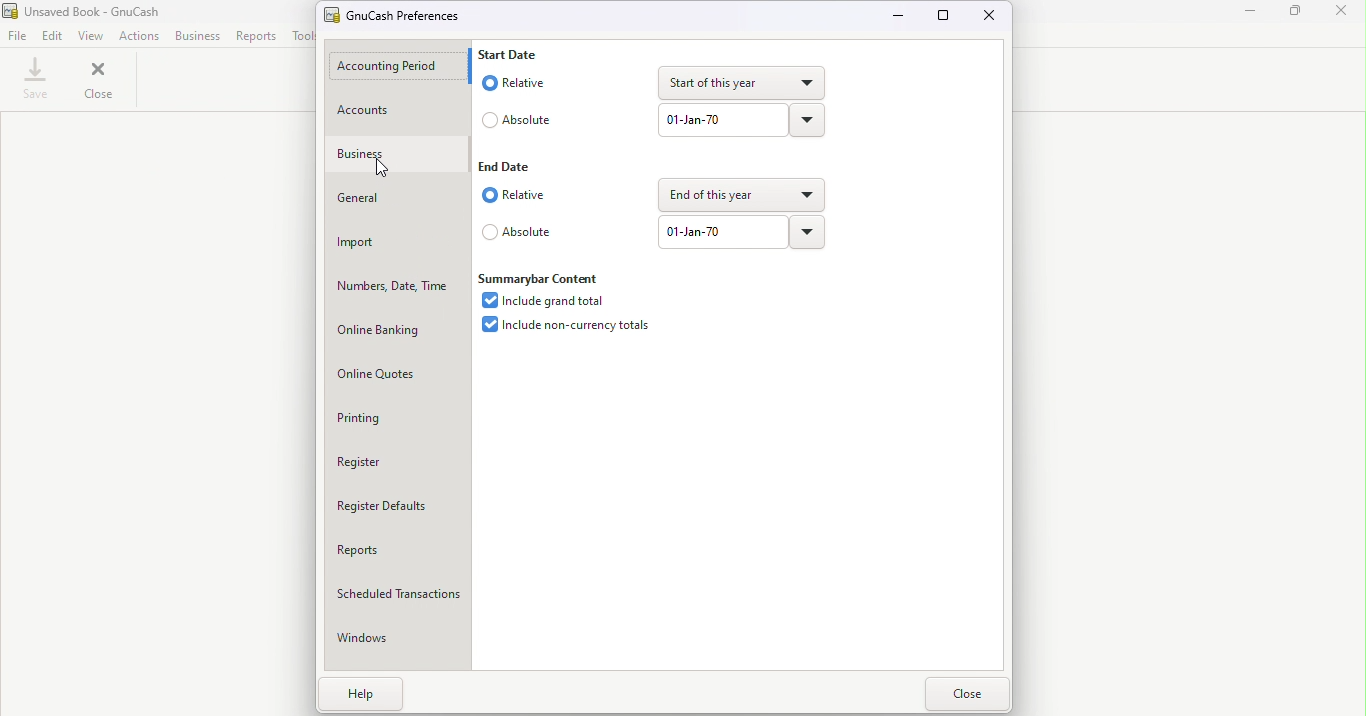  I want to click on Absolute, so click(516, 232).